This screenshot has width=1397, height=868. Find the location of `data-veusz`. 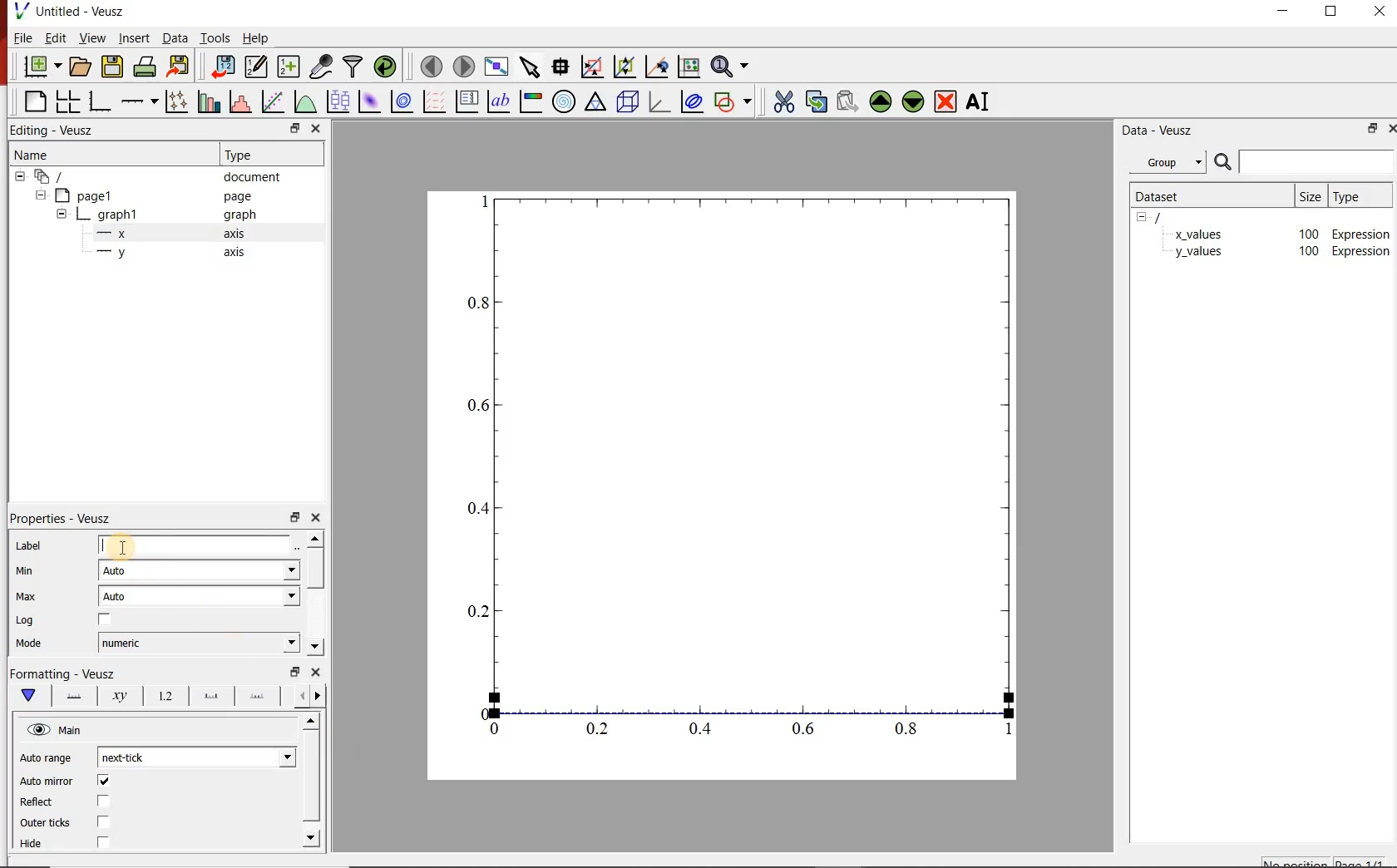

data-veusz is located at coordinates (1158, 132).